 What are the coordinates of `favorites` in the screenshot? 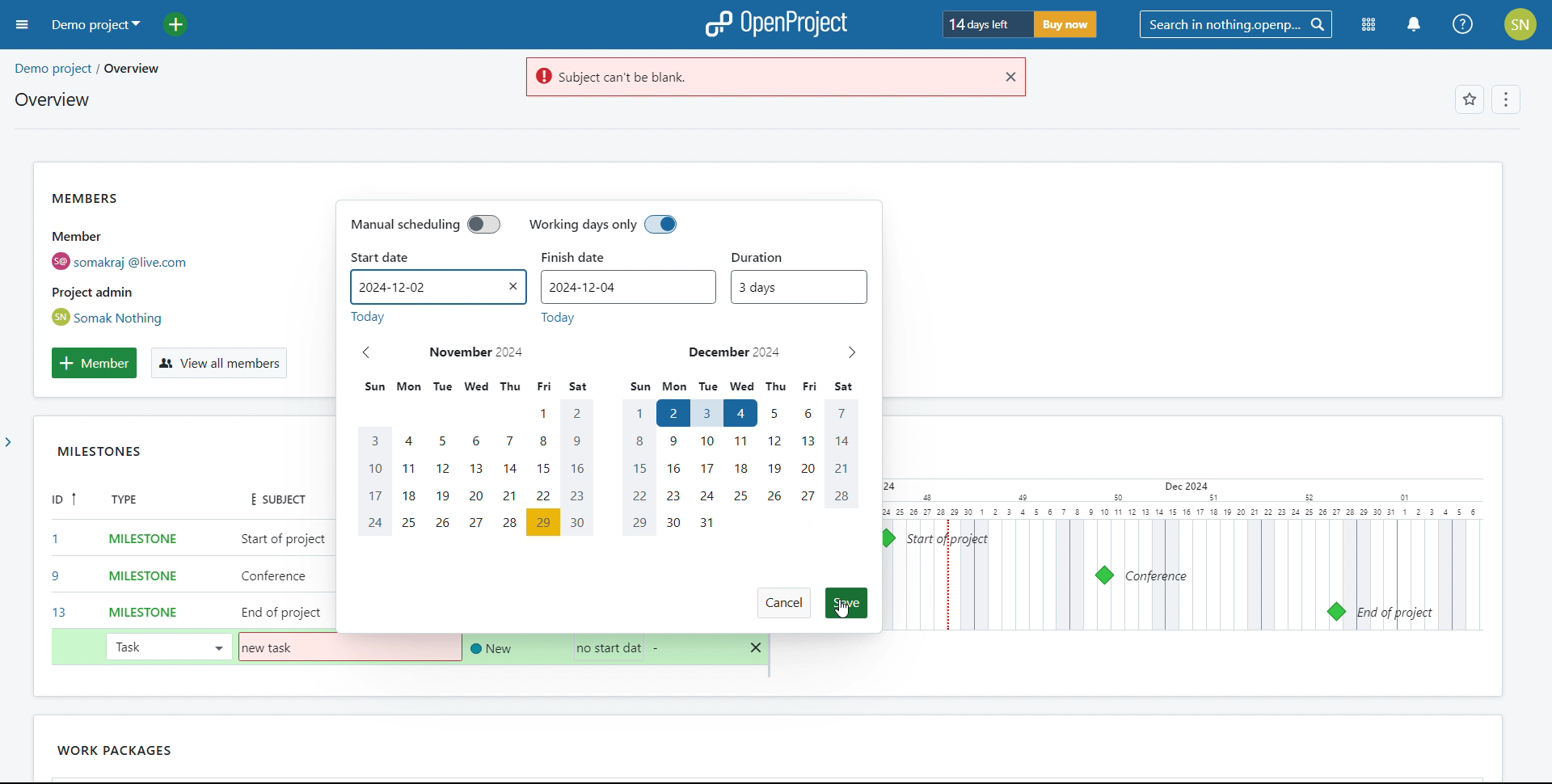 It's located at (1469, 101).